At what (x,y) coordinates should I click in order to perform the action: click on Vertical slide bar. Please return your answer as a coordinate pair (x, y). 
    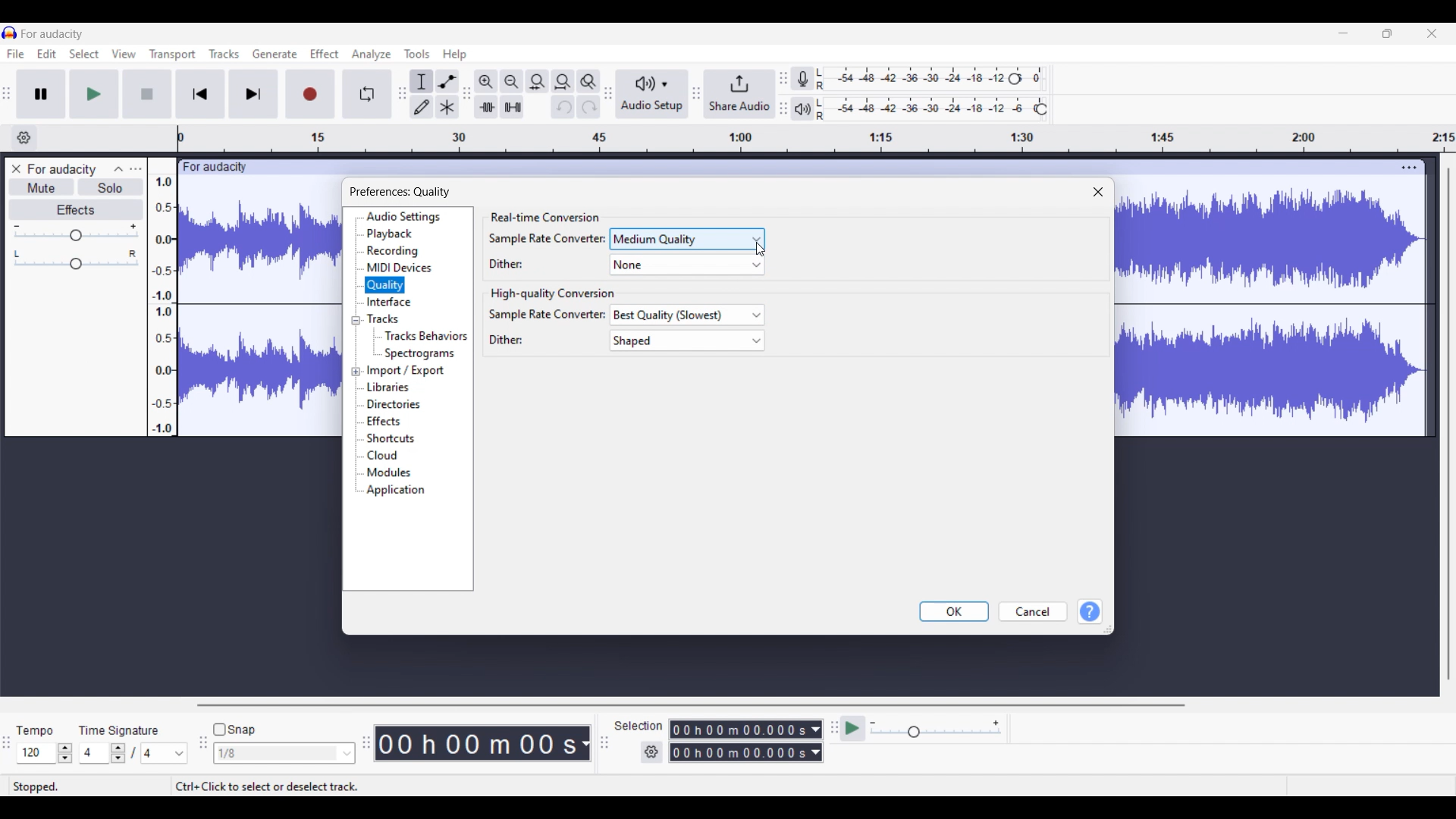
    Looking at the image, I should click on (1448, 425).